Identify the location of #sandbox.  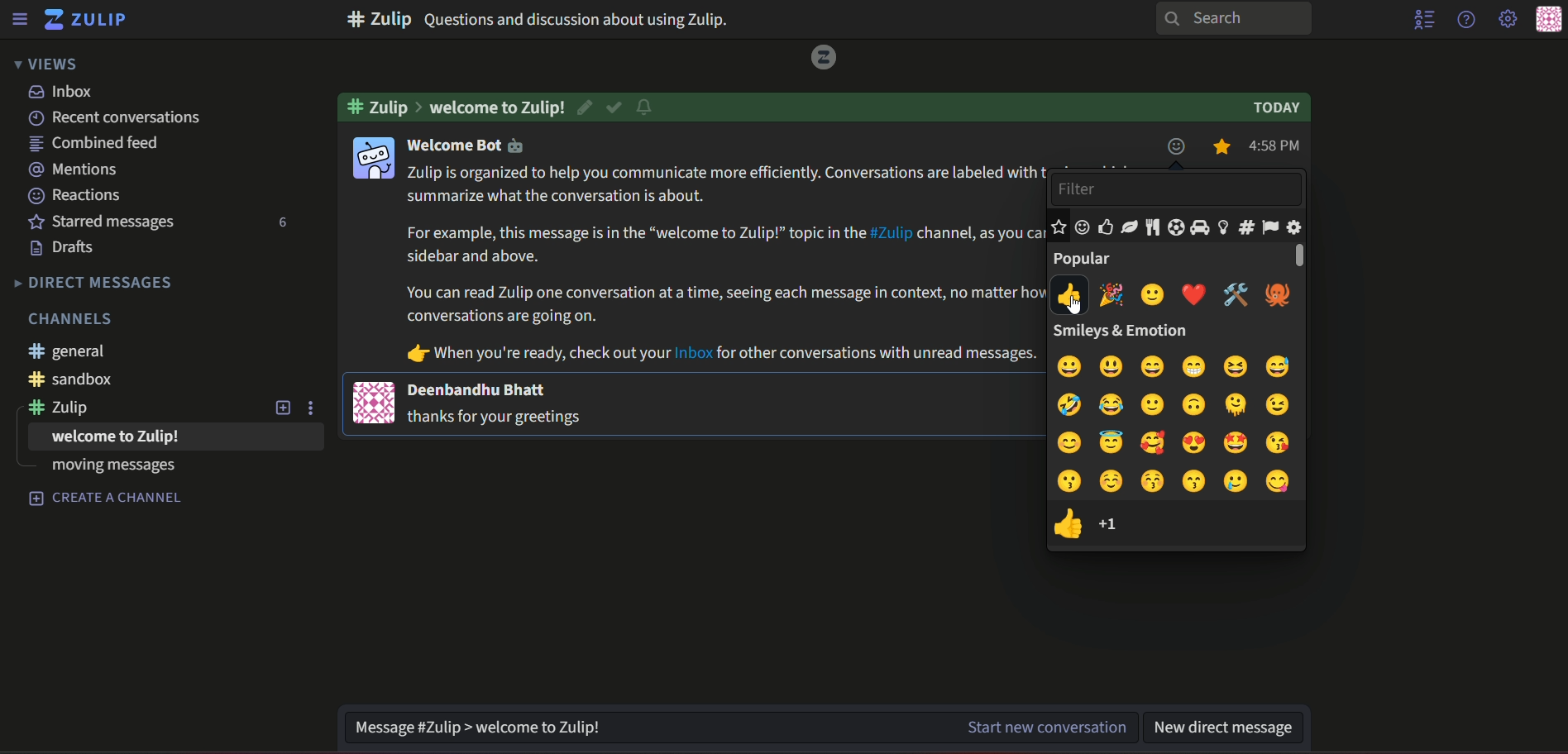
(72, 379).